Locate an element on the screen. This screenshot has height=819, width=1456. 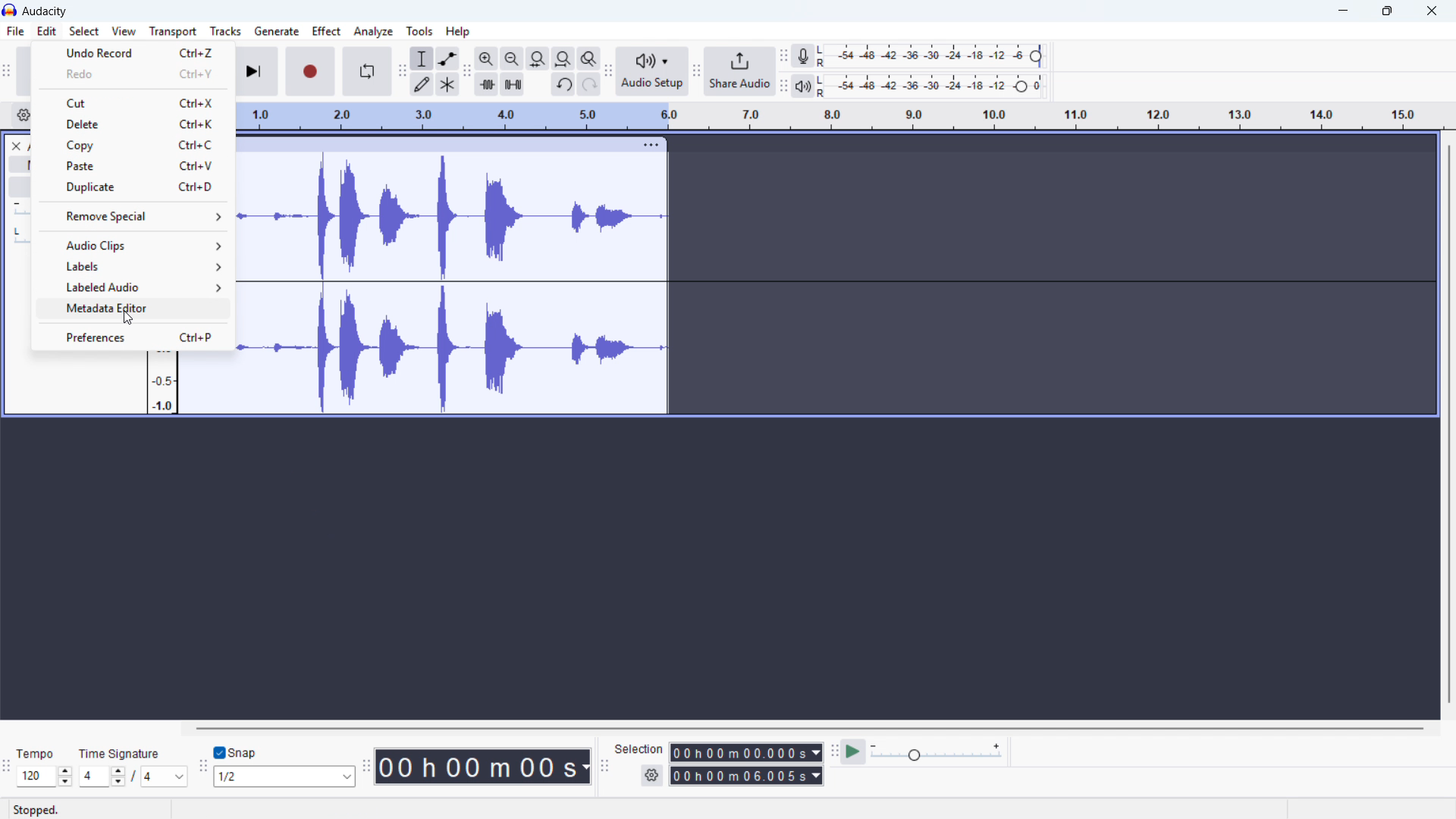
audio setup toolbar is located at coordinates (607, 72).